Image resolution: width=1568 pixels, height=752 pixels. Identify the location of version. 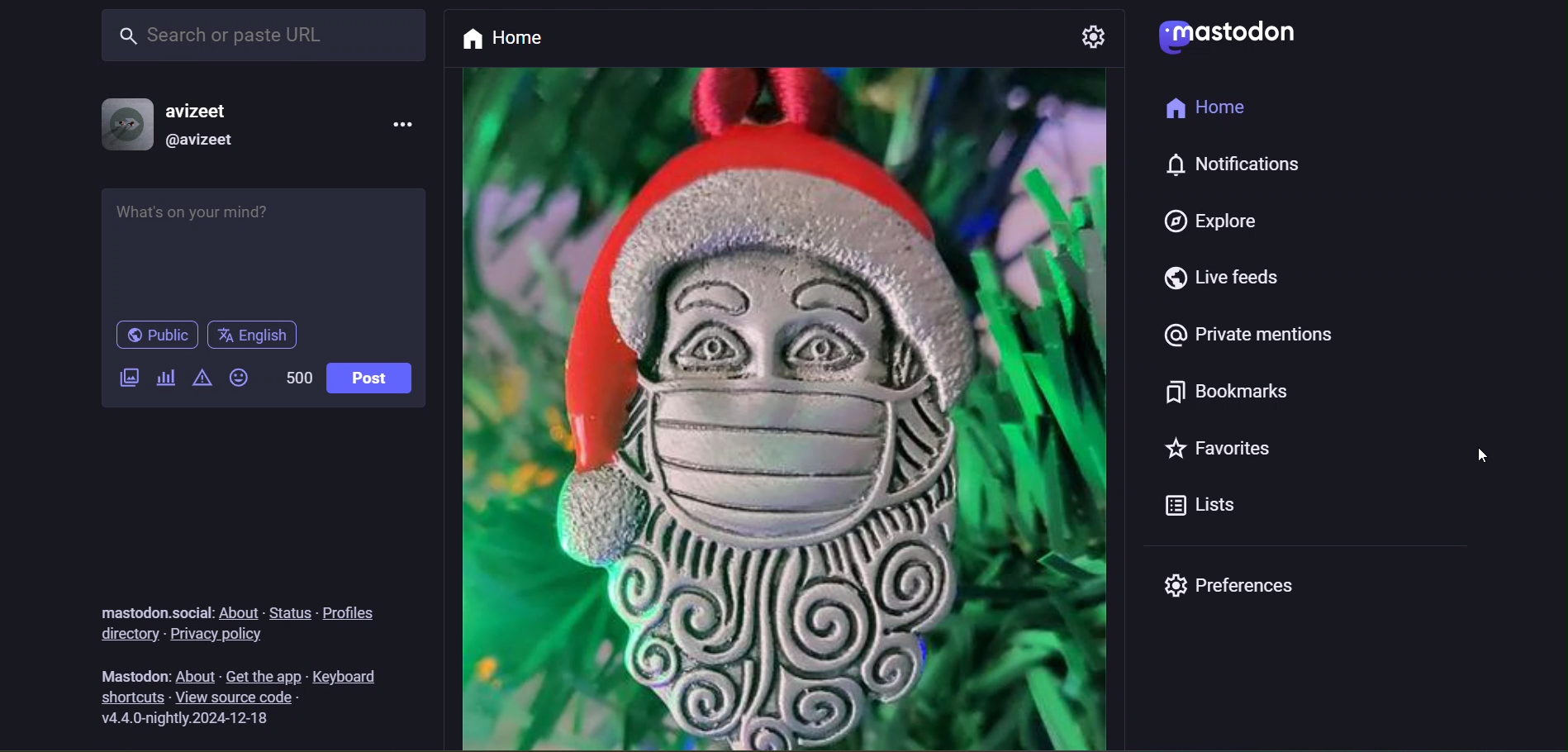
(201, 721).